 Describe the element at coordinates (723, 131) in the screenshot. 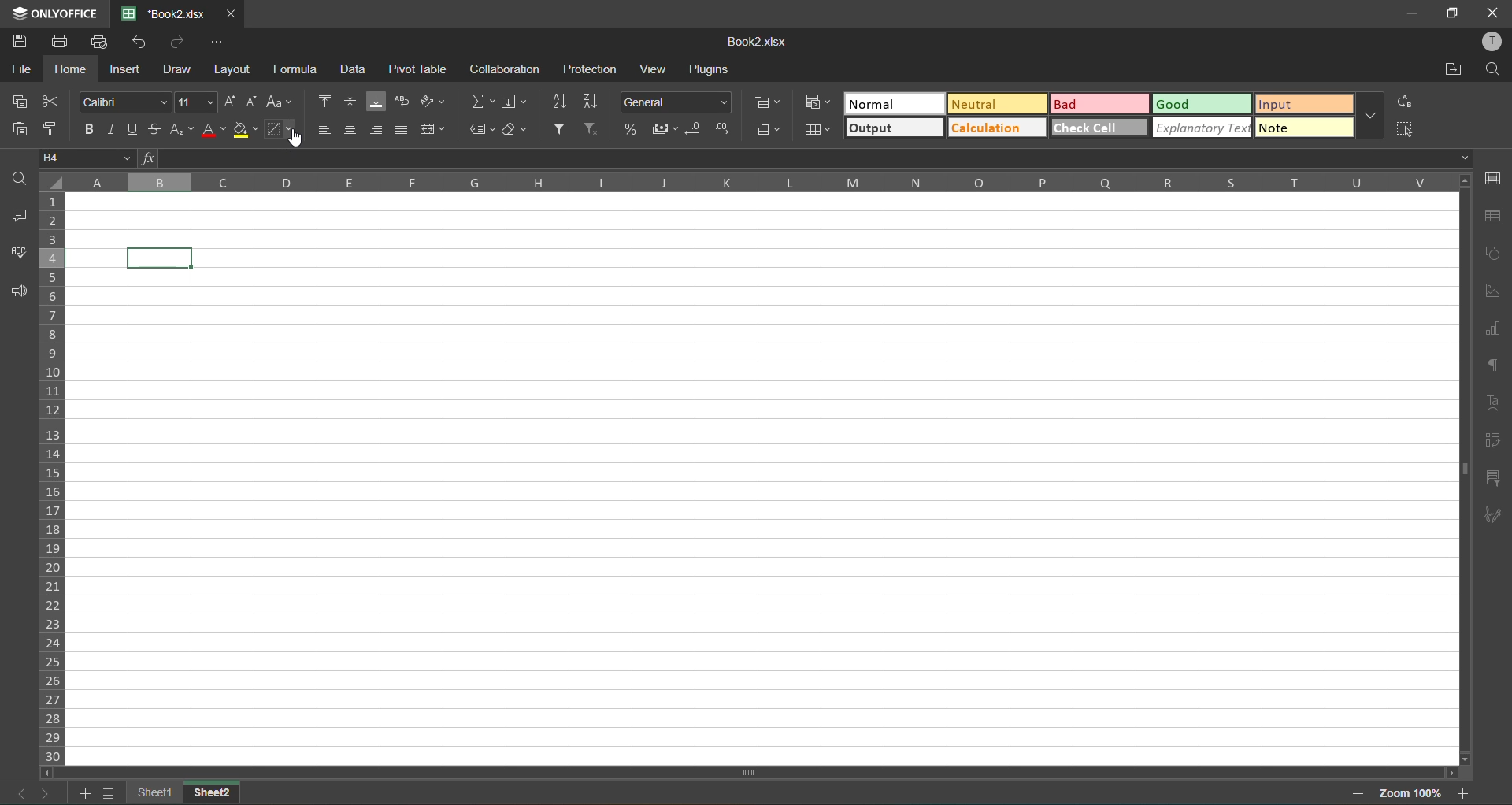

I see `increase decimal` at that location.